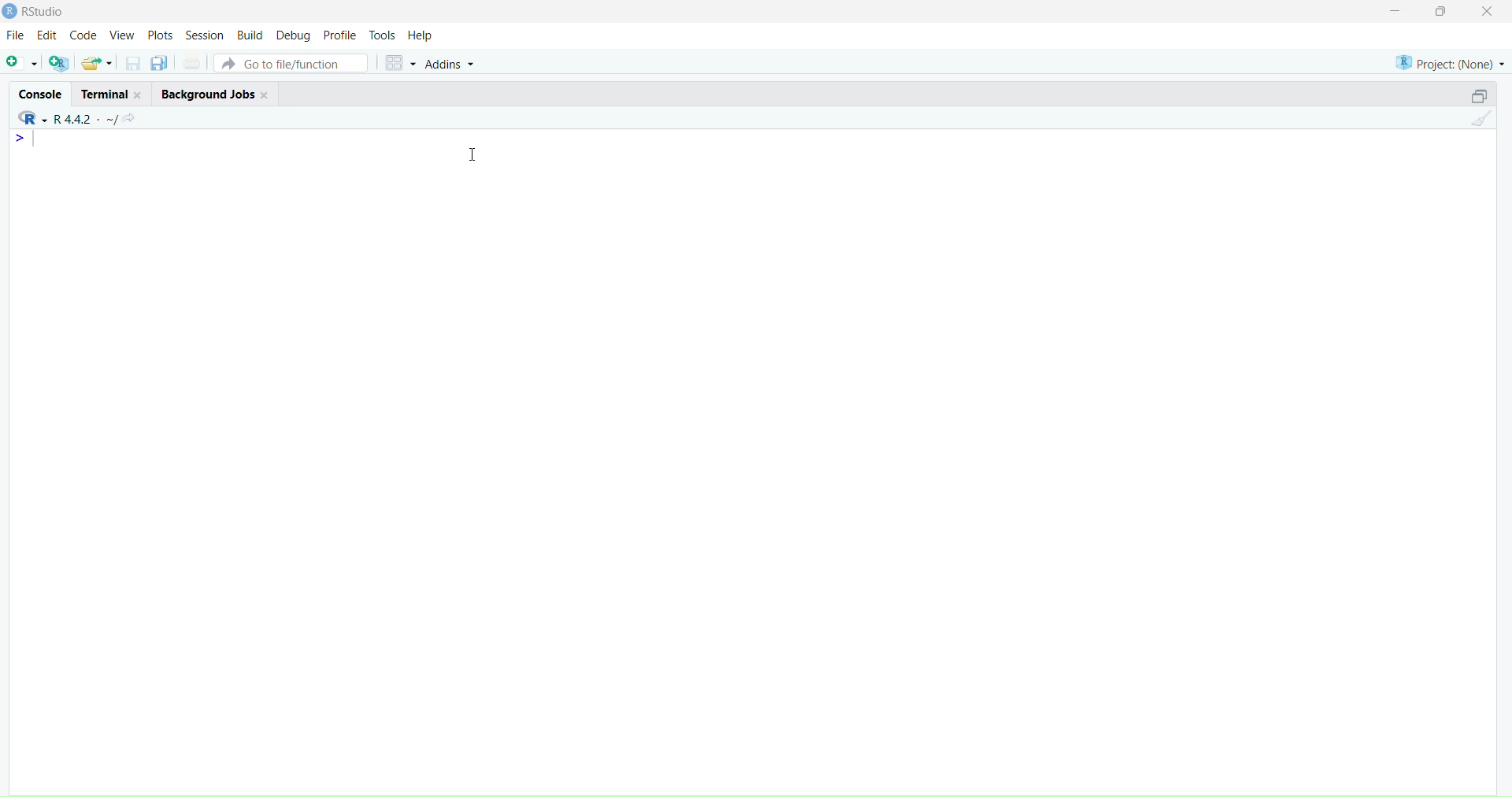 The height and width of the screenshot is (797, 1512). Describe the element at coordinates (265, 95) in the screenshot. I see `close` at that location.